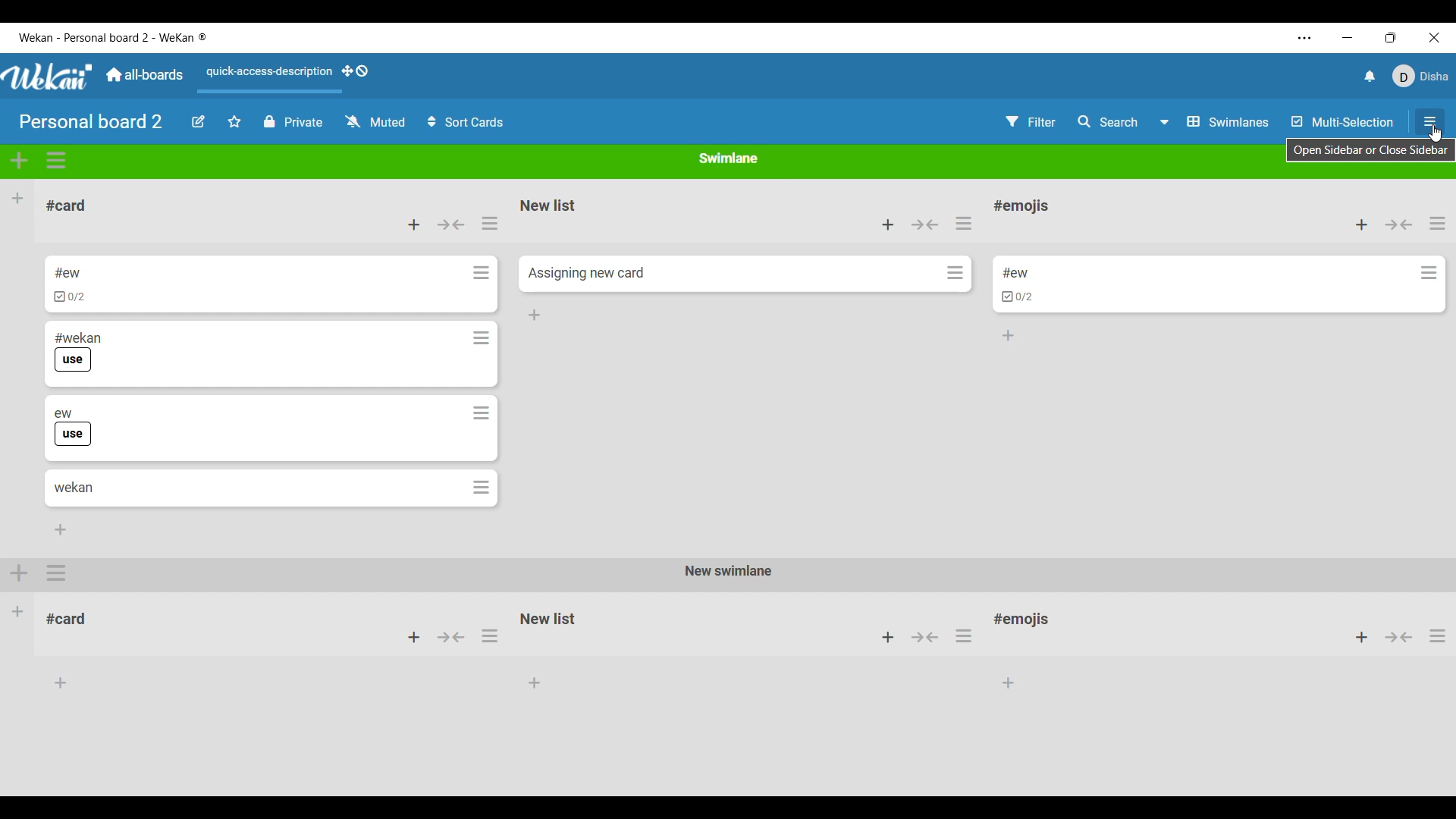 The image size is (1456, 819). Describe the element at coordinates (1429, 272) in the screenshot. I see `Card actions` at that location.